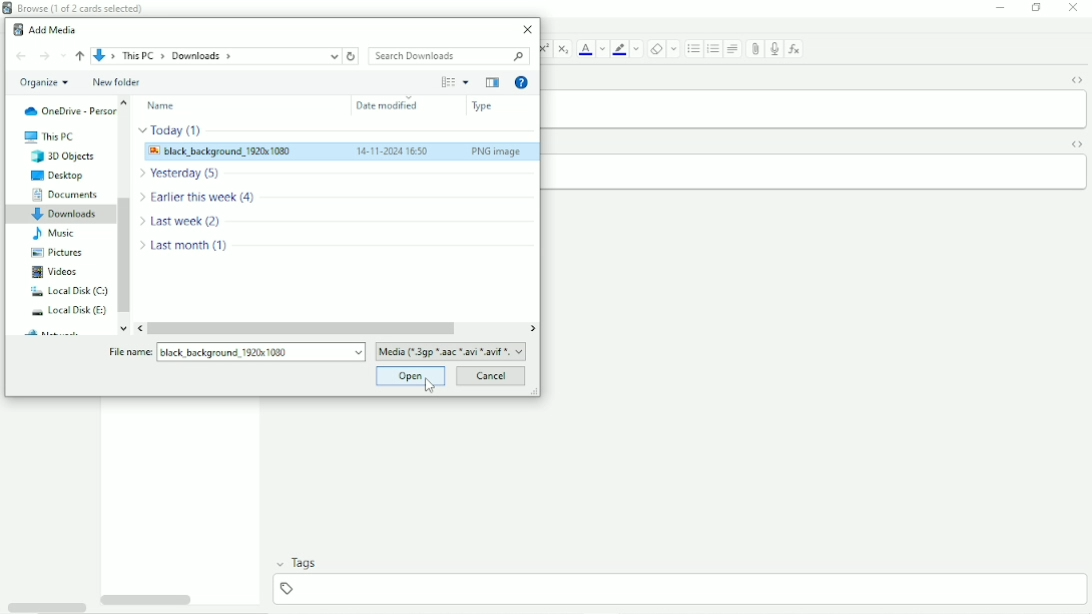 This screenshot has width=1092, height=614. What do you see at coordinates (401, 158) in the screenshot?
I see `Cursor` at bounding box center [401, 158].